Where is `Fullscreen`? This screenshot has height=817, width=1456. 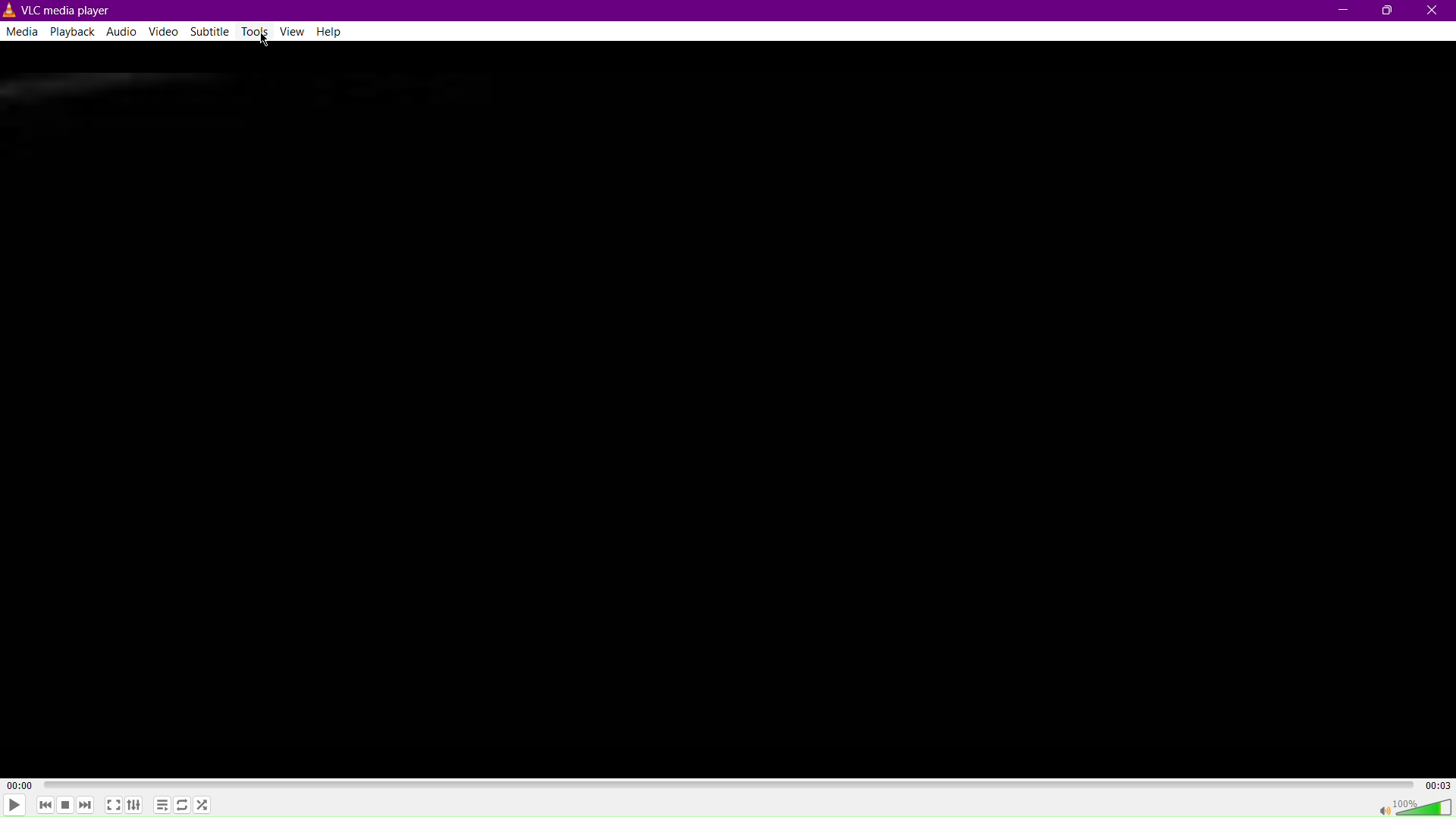
Fullscreen is located at coordinates (113, 805).